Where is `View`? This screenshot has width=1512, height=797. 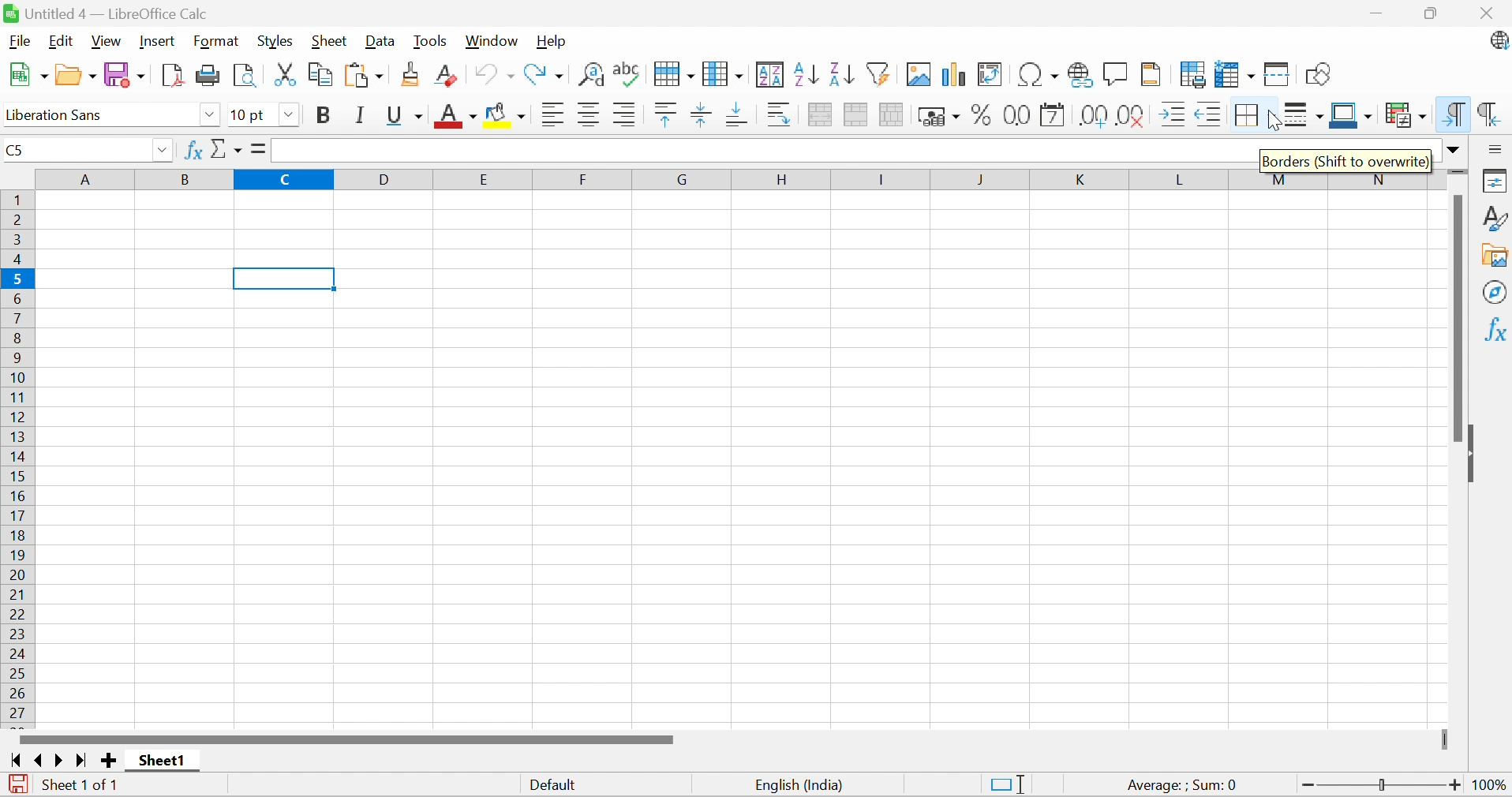
View is located at coordinates (107, 42).